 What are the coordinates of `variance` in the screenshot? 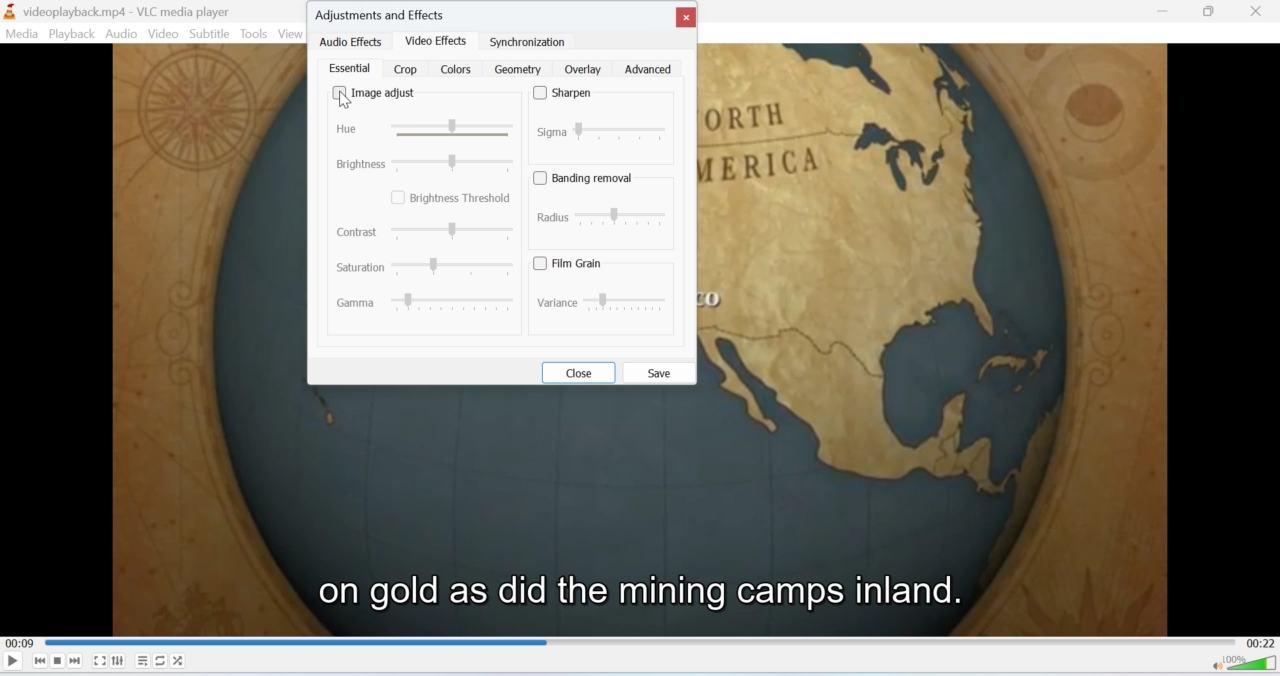 It's located at (599, 302).